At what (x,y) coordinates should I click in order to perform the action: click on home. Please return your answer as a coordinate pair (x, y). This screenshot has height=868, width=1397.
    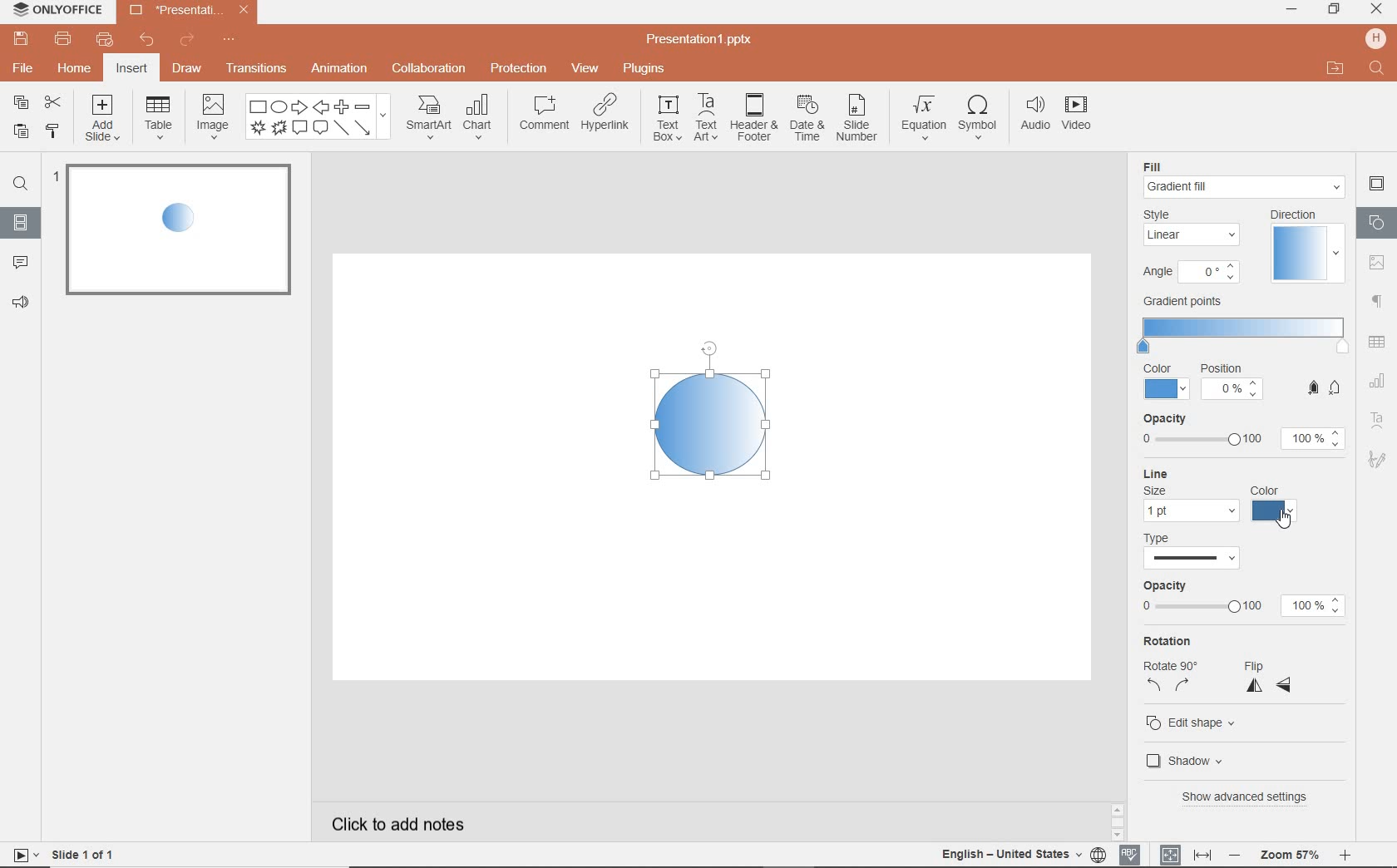
    Looking at the image, I should click on (77, 69).